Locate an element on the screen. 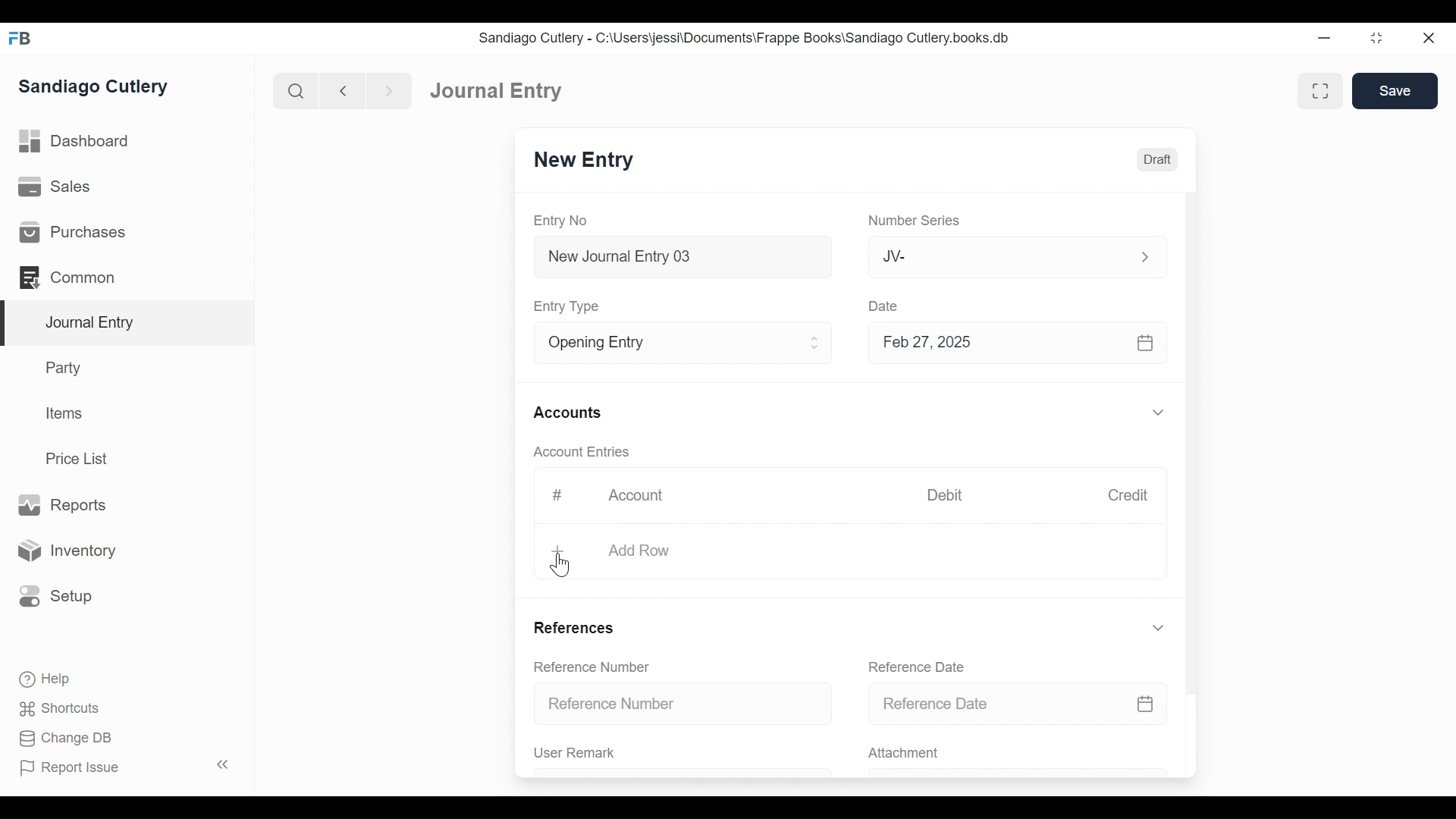  Reports is located at coordinates (67, 505).